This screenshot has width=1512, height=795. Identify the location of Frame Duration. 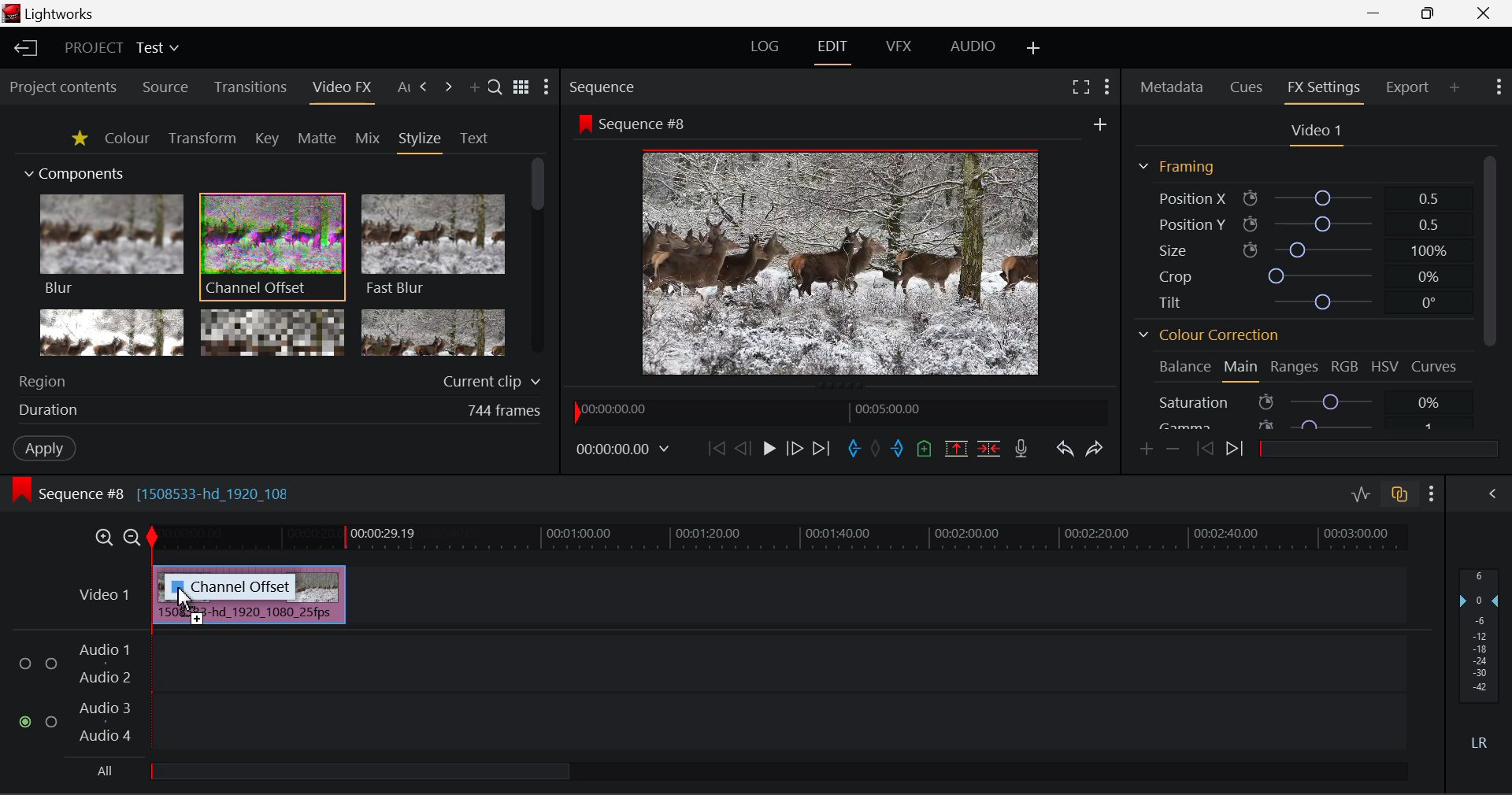
(280, 412).